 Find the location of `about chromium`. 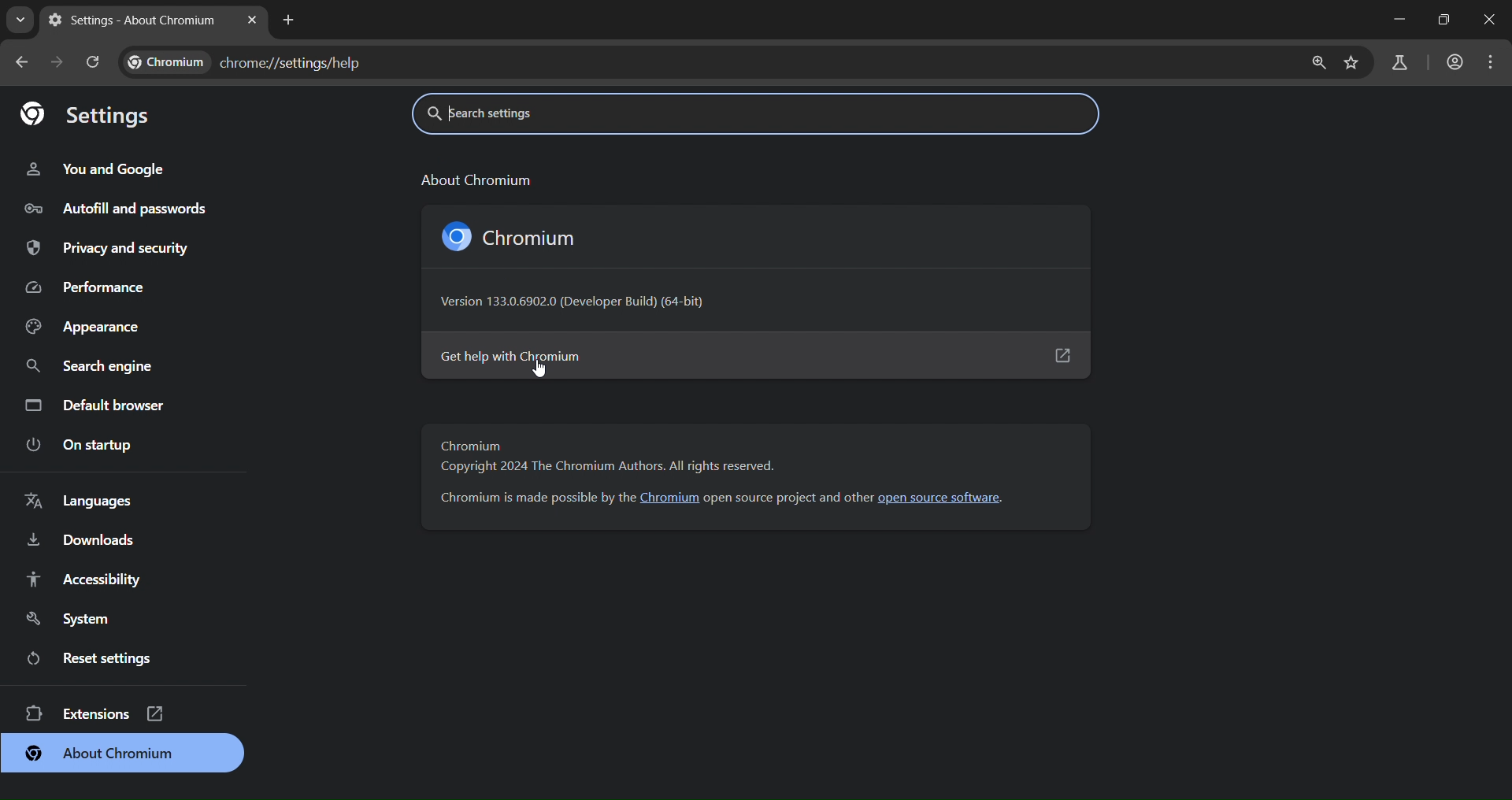

about chromium is located at coordinates (474, 178).